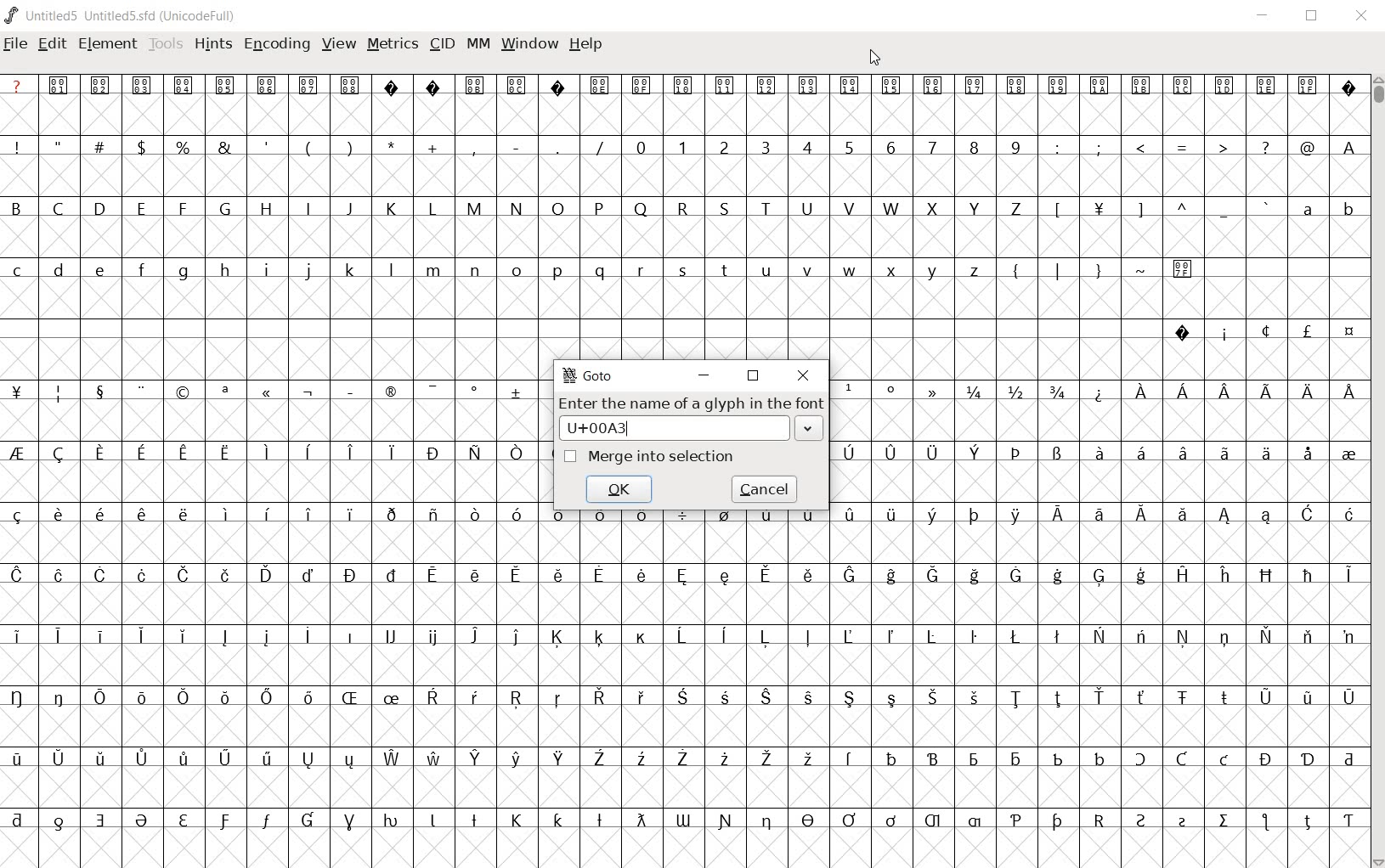 The width and height of the screenshot is (1385, 868). What do you see at coordinates (1015, 146) in the screenshot?
I see `9` at bounding box center [1015, 146].